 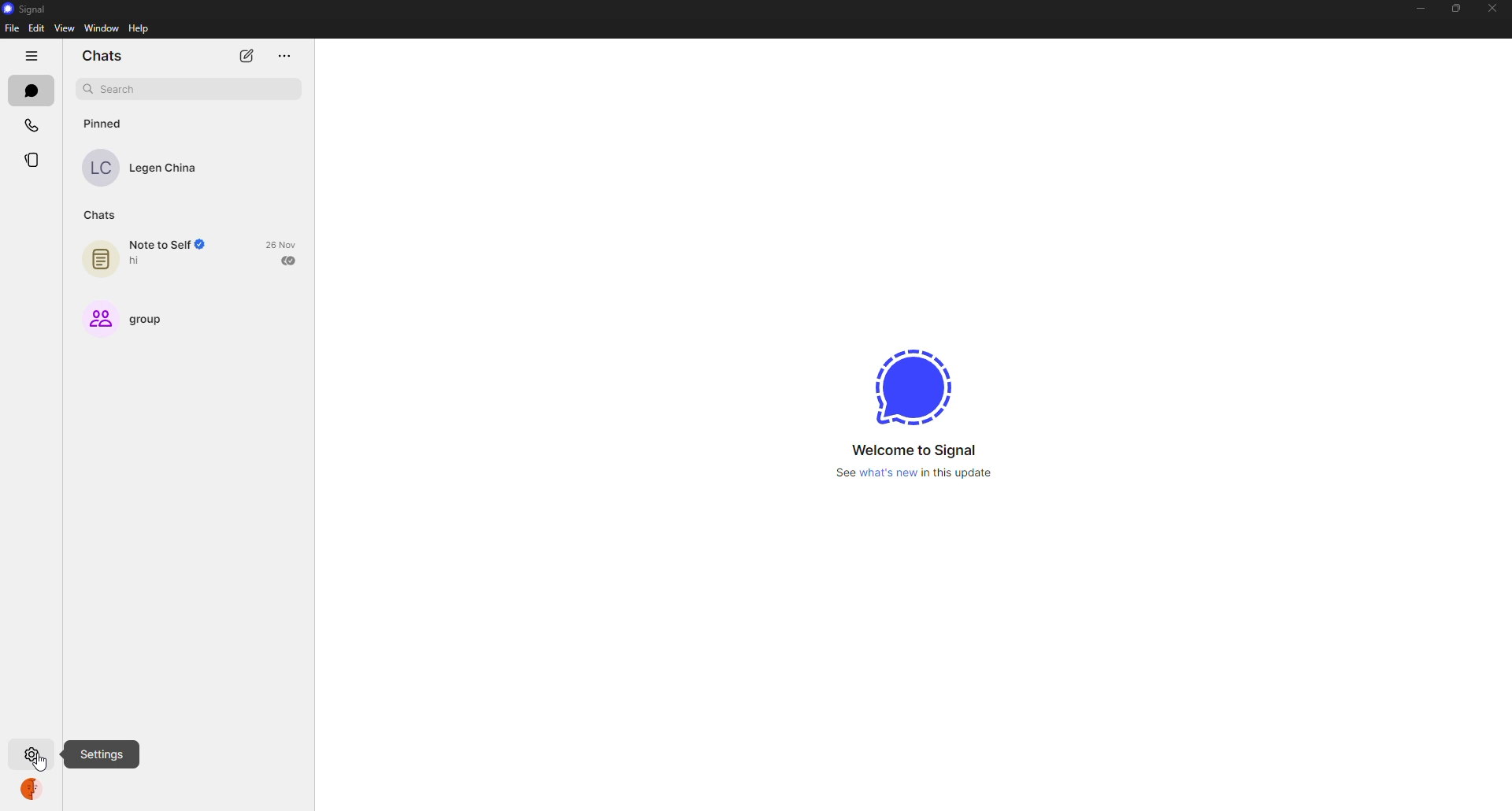 What do you see at coordinates (283, 57) in the screenshot?
I see `more` at bounding box center [283, 57].